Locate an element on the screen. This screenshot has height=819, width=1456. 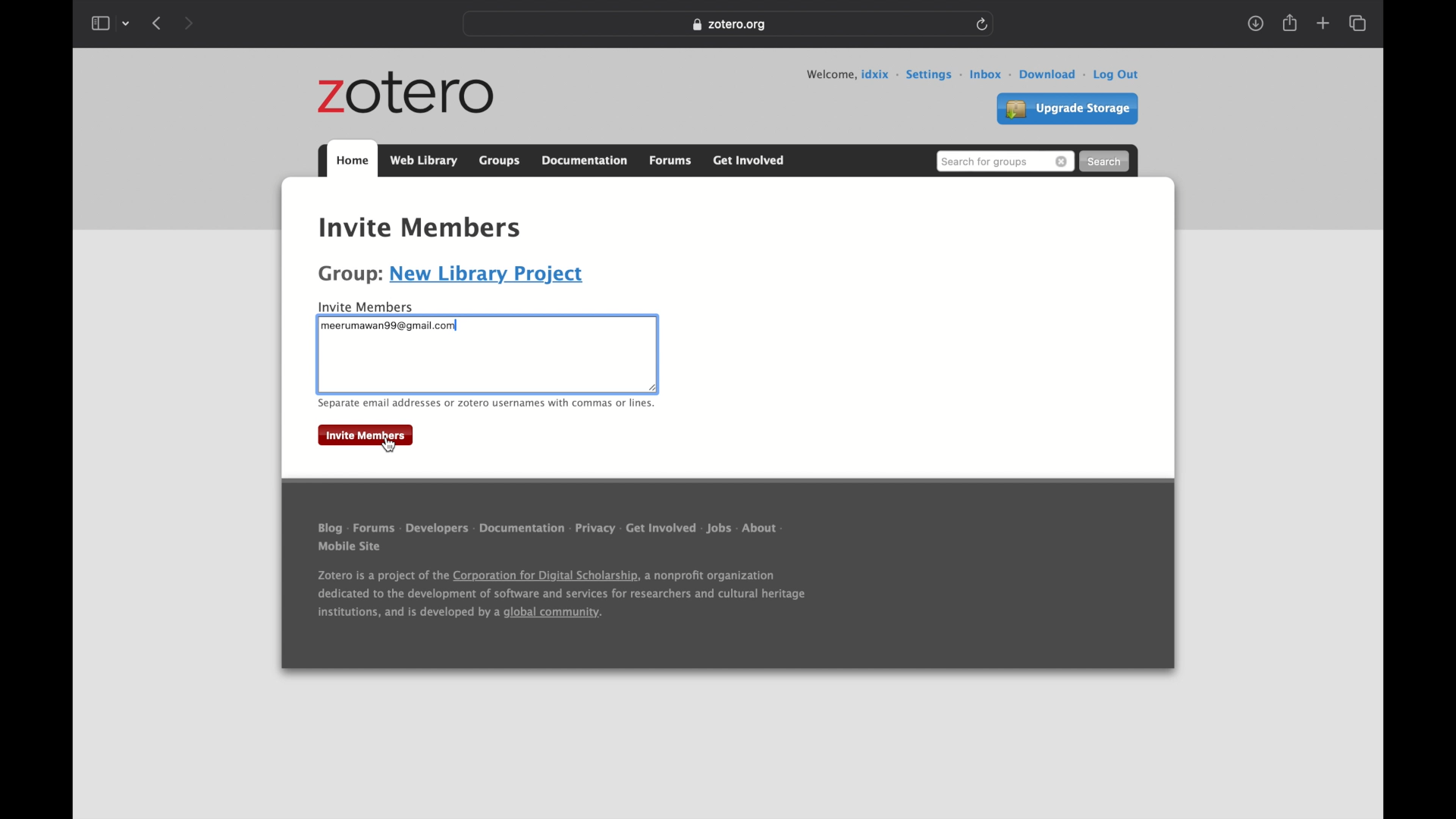
developers is located at coordinates (439, 526).